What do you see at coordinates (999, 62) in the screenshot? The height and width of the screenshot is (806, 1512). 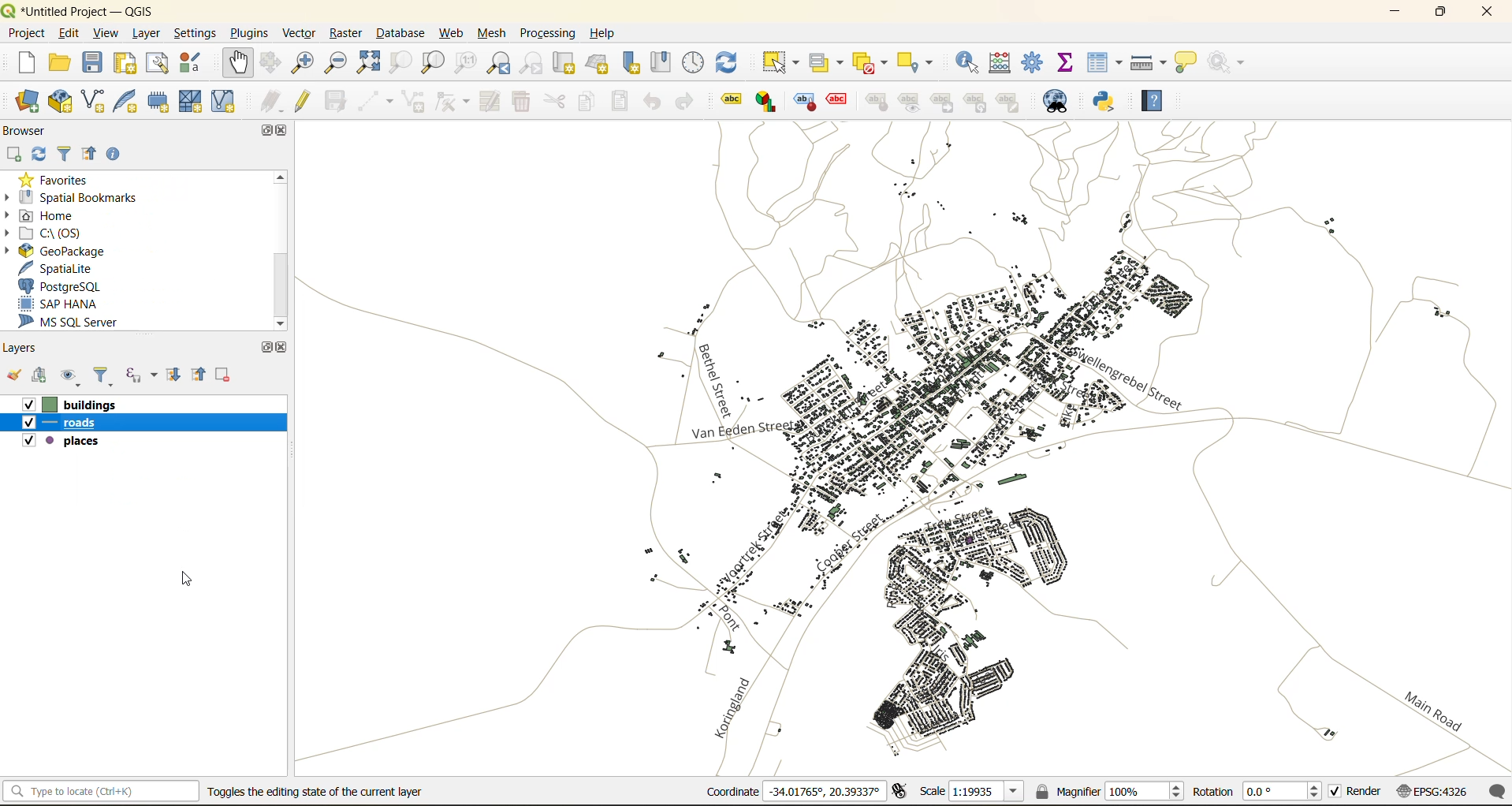 I see `calculator` at bounding box center [999, 62].